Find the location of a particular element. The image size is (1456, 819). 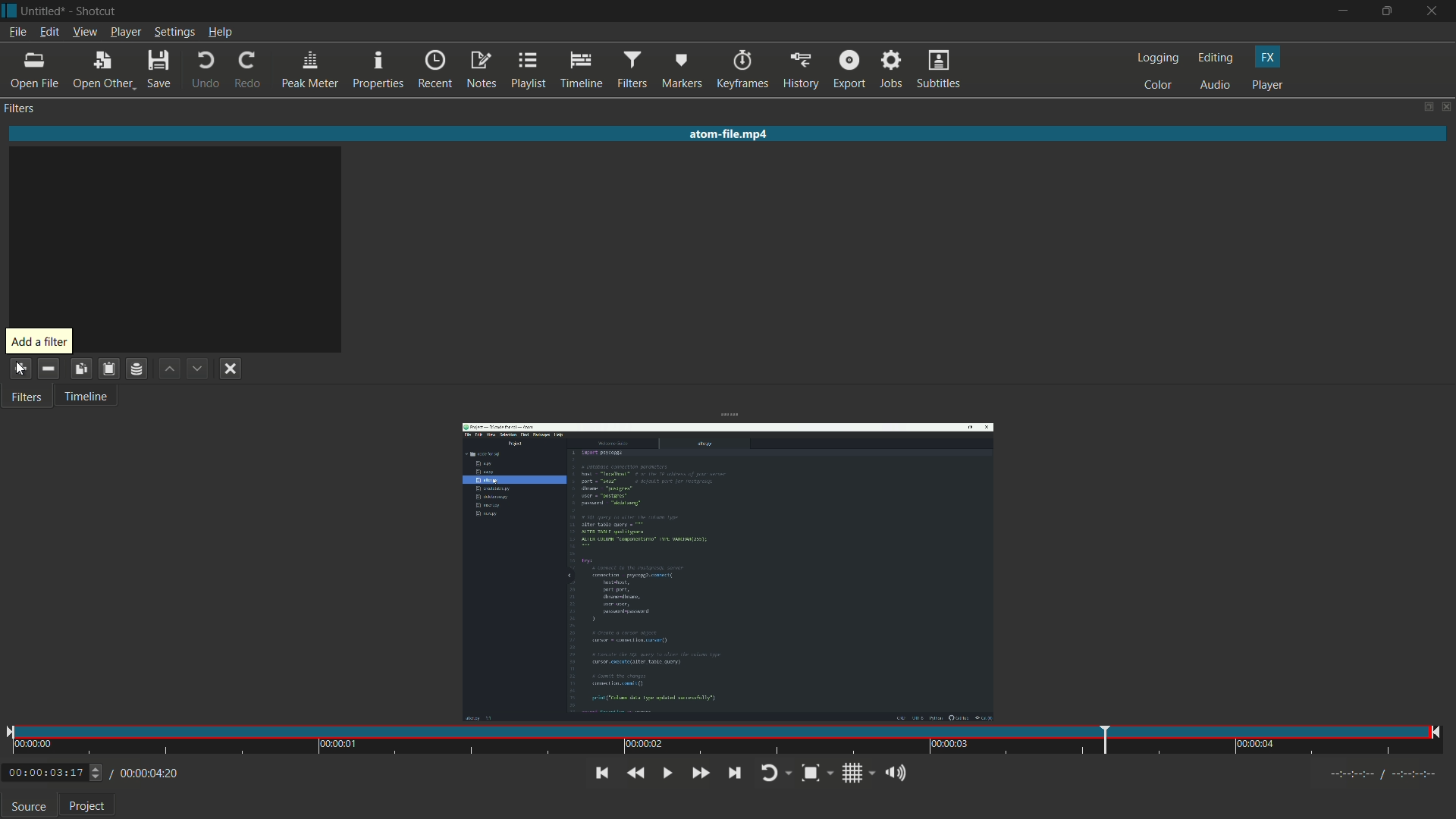

undo is located at coordinates (202, 71).